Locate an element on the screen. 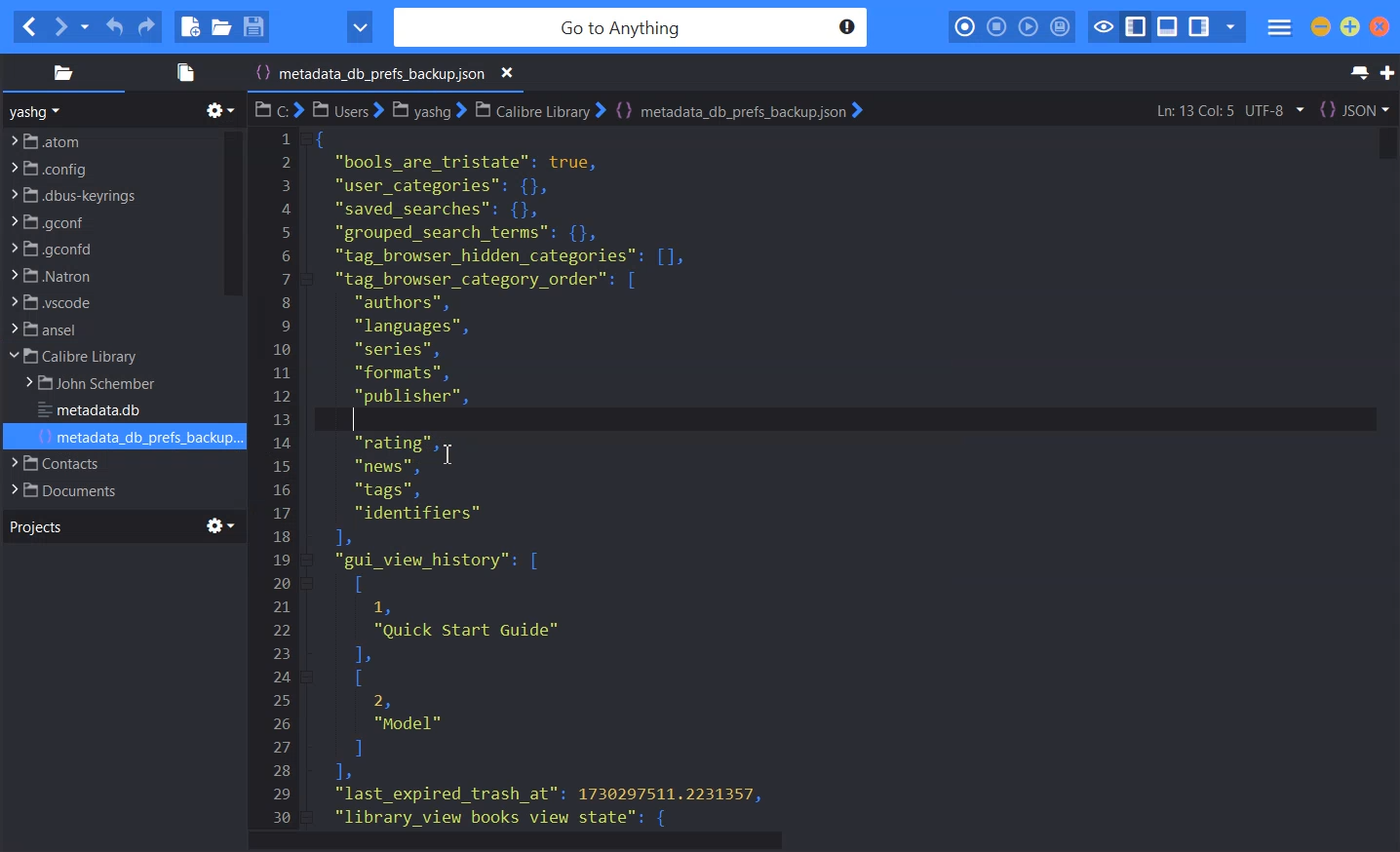  New Tab is located at coordinates (1387, 73).